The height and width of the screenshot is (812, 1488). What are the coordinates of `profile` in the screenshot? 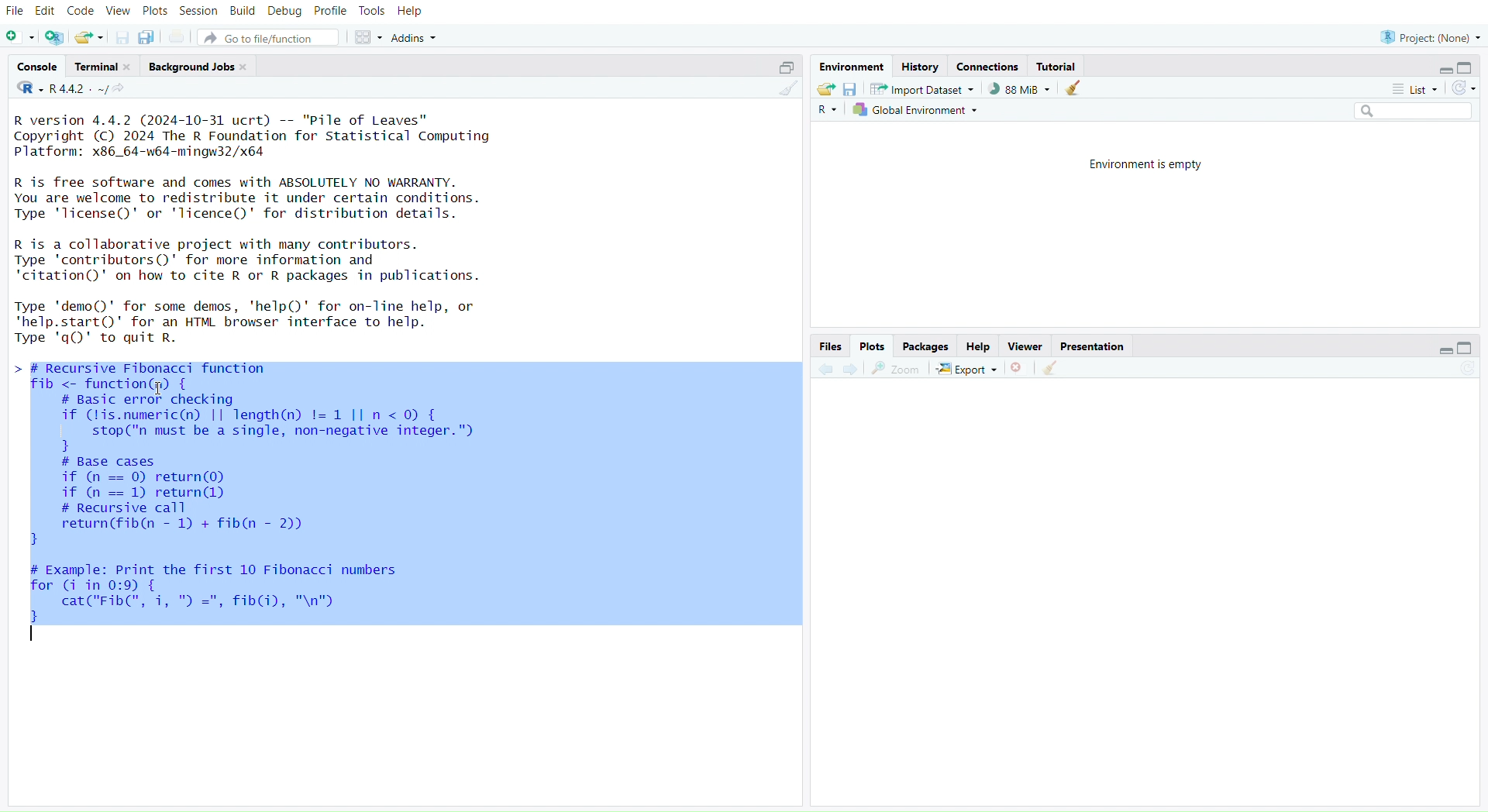 It's located at (331, 12).